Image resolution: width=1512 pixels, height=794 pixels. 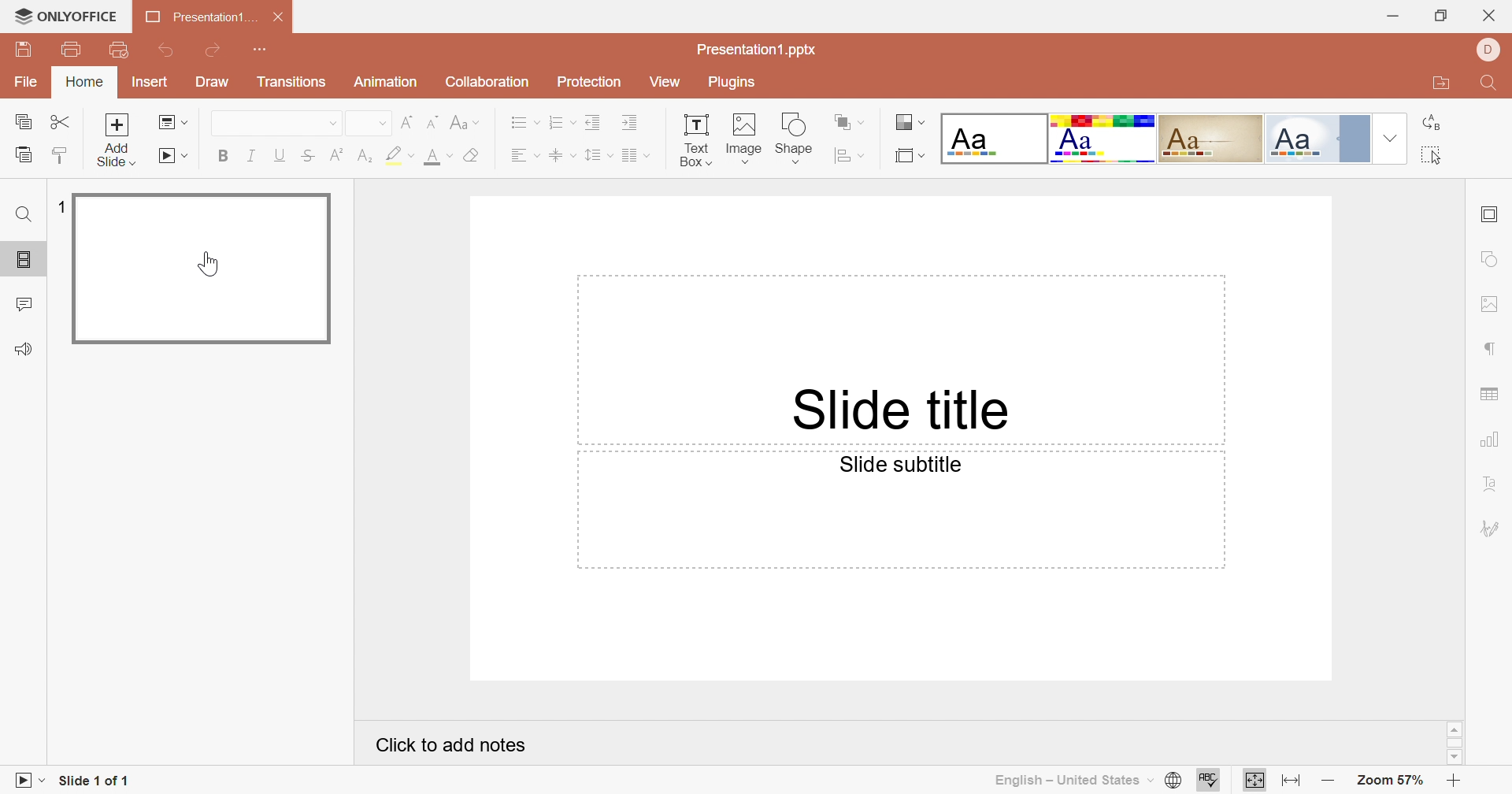 I want to click on Scroll Bar, so click(x=1454, y=742).